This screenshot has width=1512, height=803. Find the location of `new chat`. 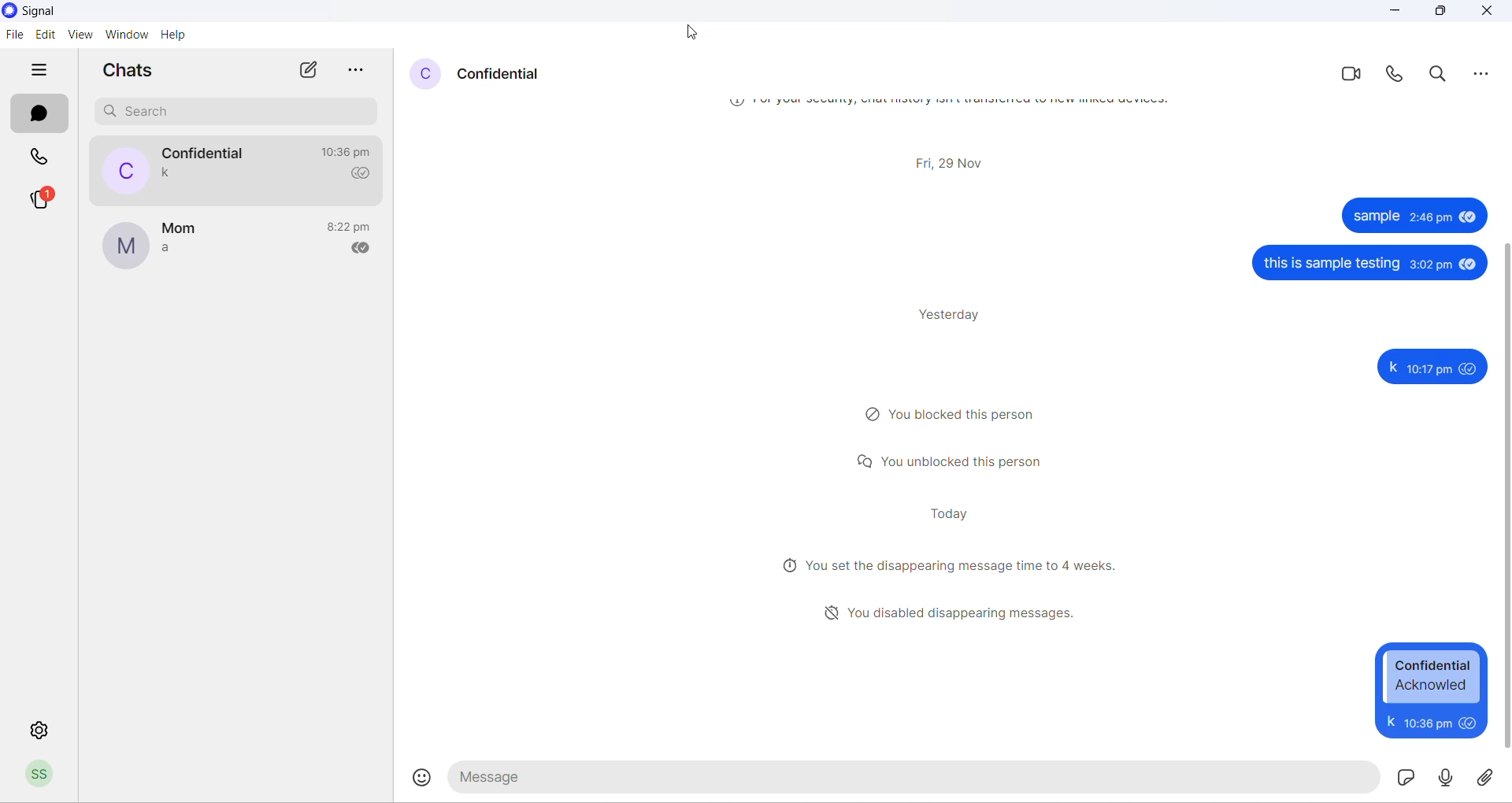

new chat is located at coordinates (306, 71).